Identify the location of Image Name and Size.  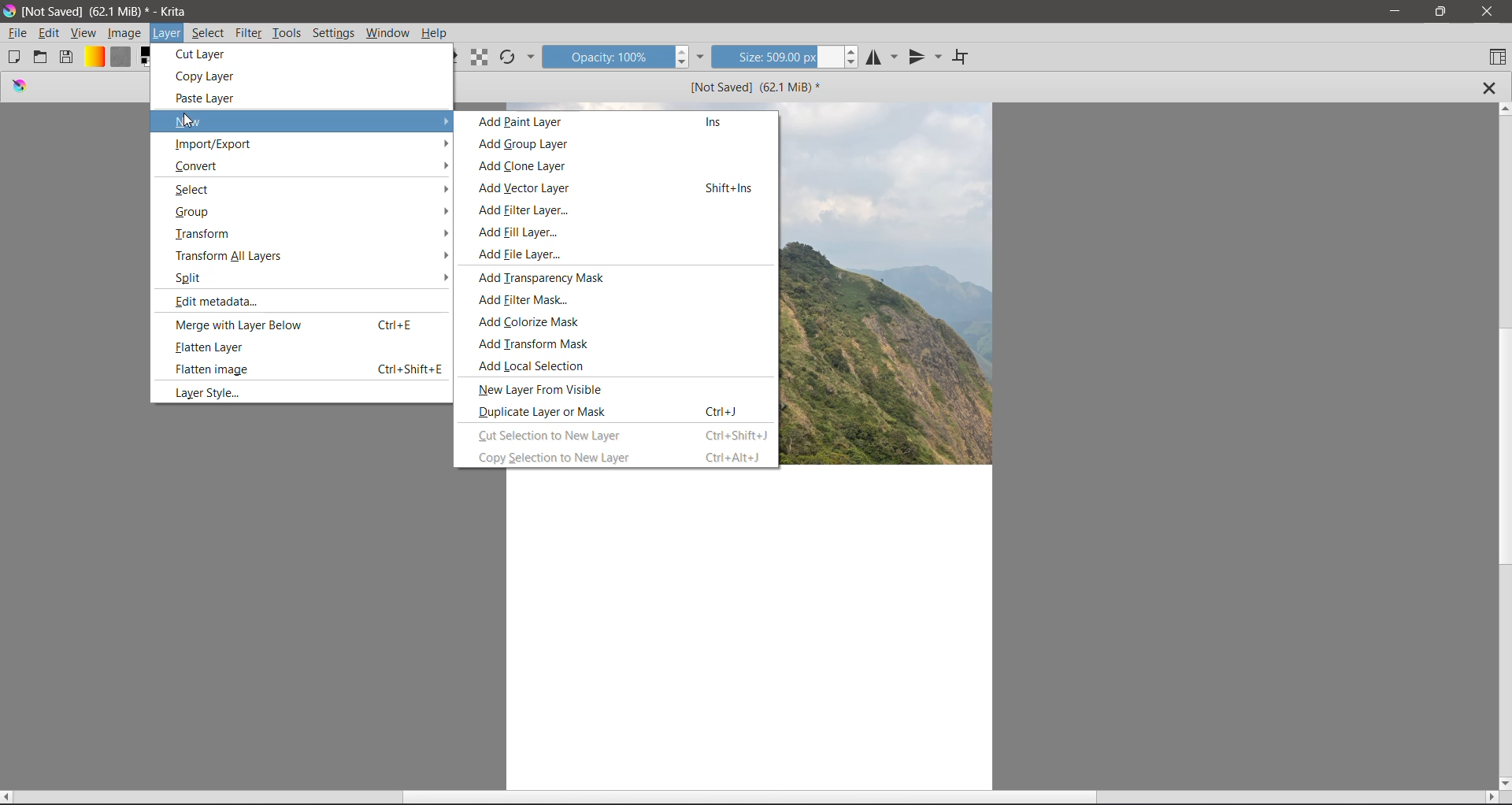
(753, 87).